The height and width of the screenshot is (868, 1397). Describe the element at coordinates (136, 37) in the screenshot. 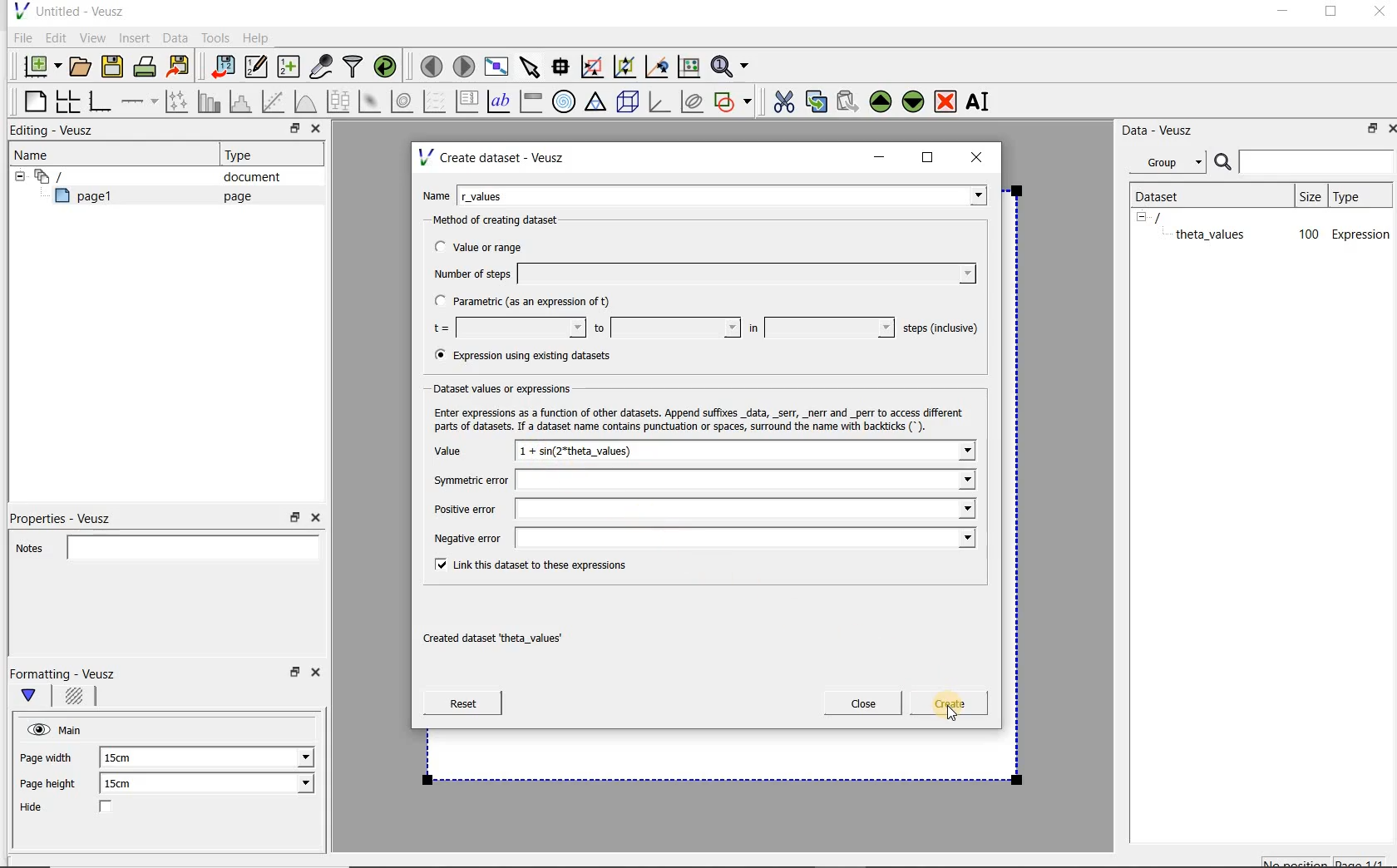

I see `Insert` at that location.